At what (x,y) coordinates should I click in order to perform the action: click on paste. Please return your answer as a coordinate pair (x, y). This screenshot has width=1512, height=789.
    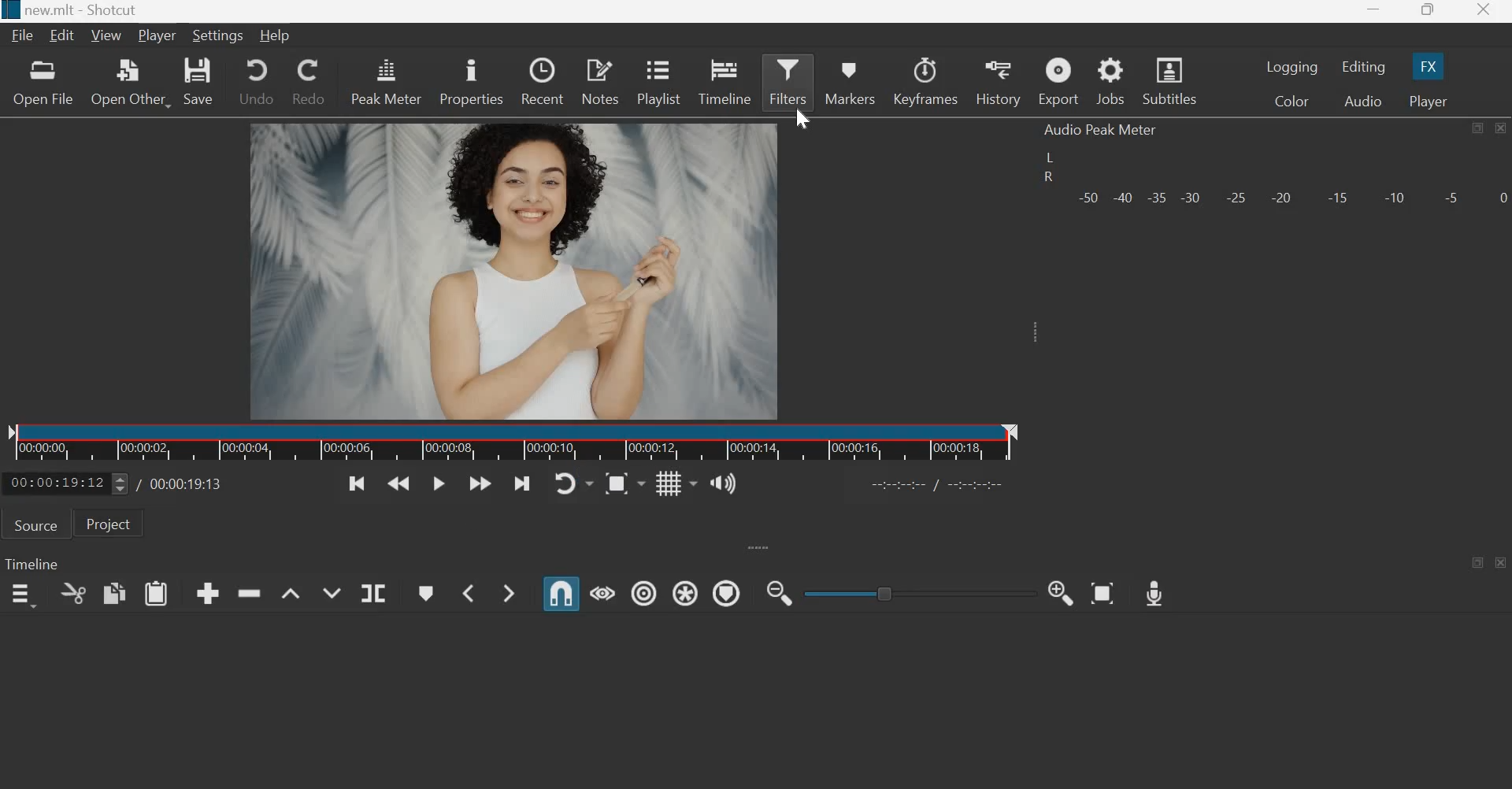
    Looking at the image, I should click on (157, 592).